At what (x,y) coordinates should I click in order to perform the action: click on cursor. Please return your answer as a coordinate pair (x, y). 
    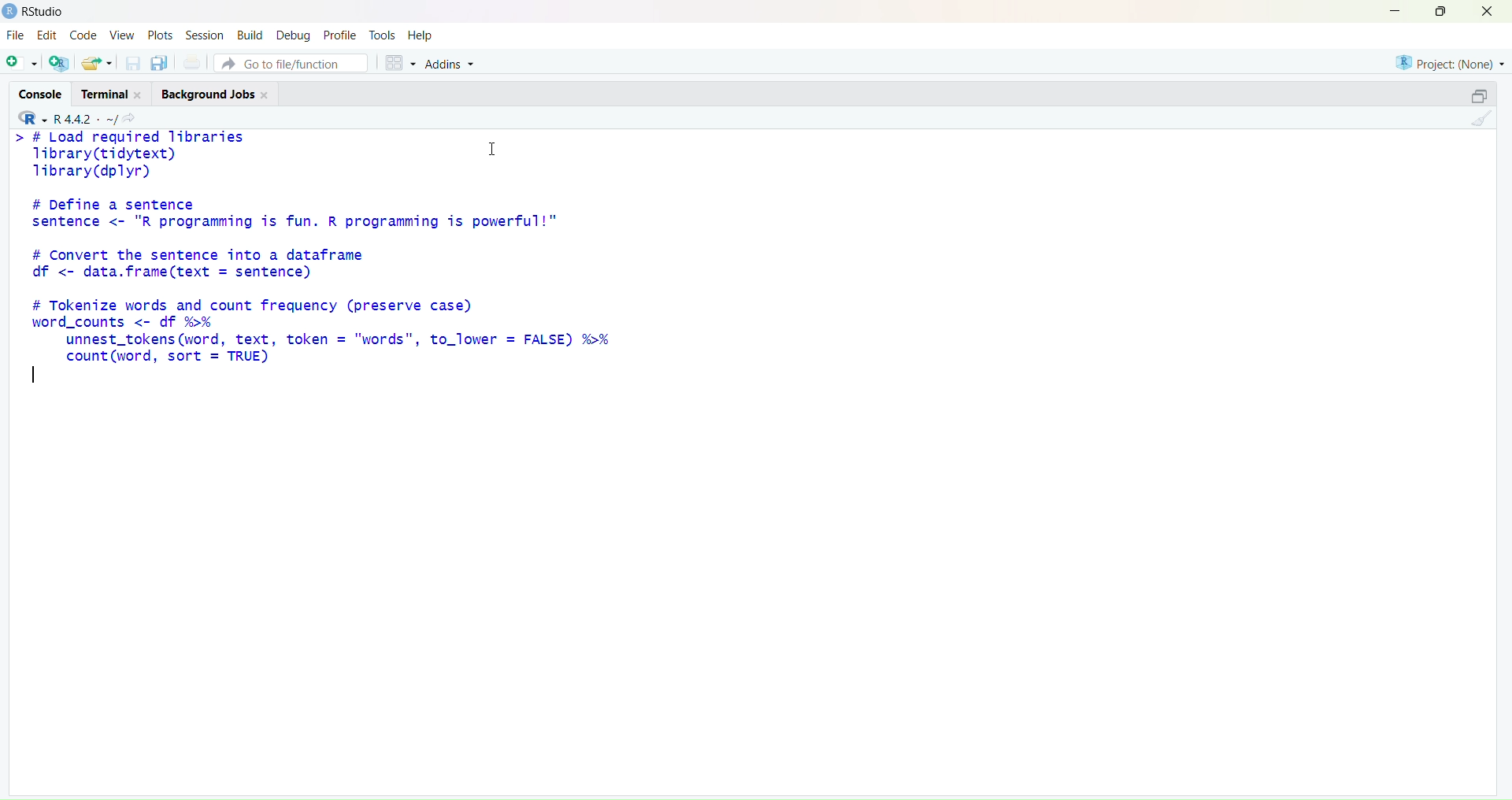
    Looking at the image, I should click on (494, 150).